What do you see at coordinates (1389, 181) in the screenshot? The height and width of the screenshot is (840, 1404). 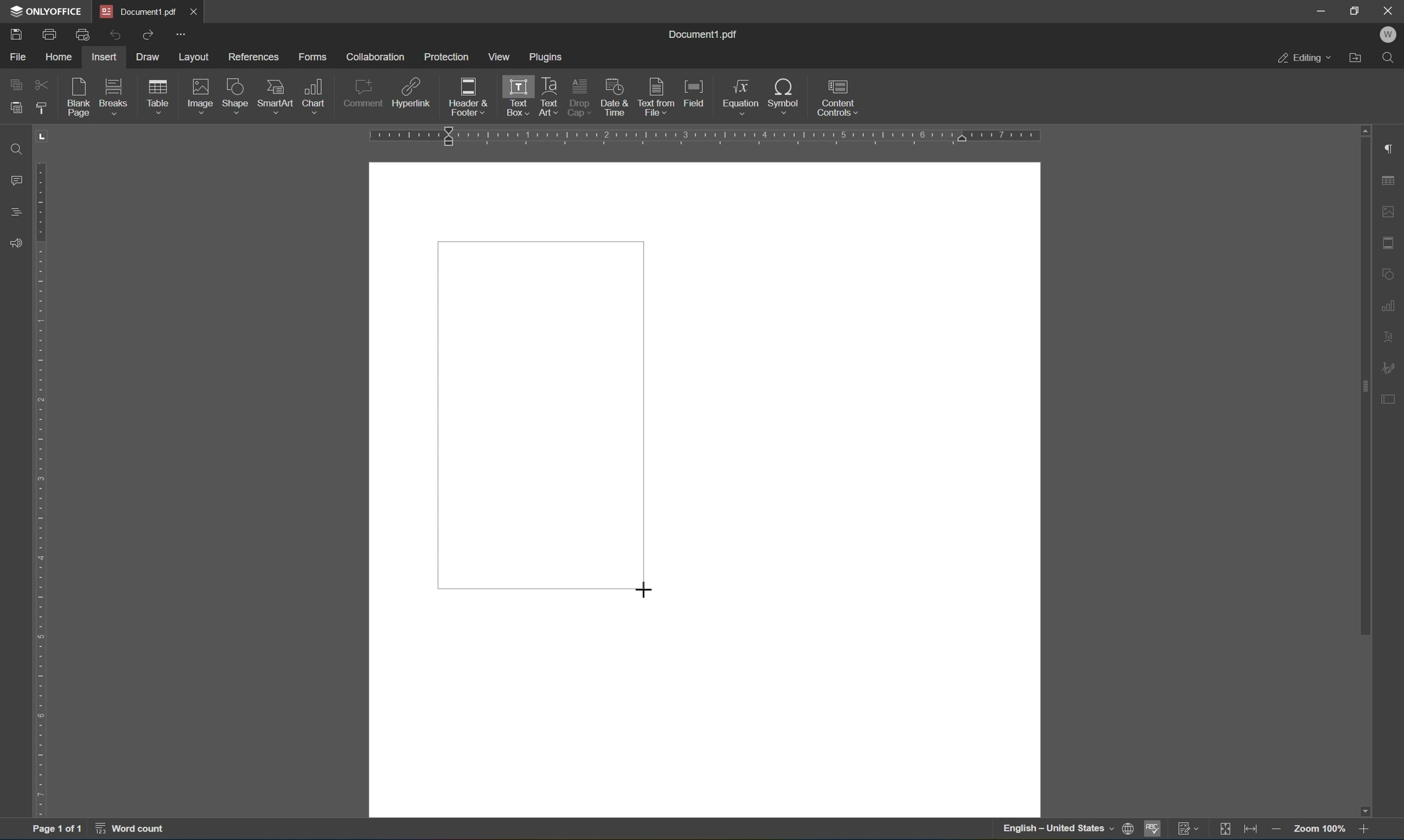 I see `Table settings` at bounding box center [1389, 181].